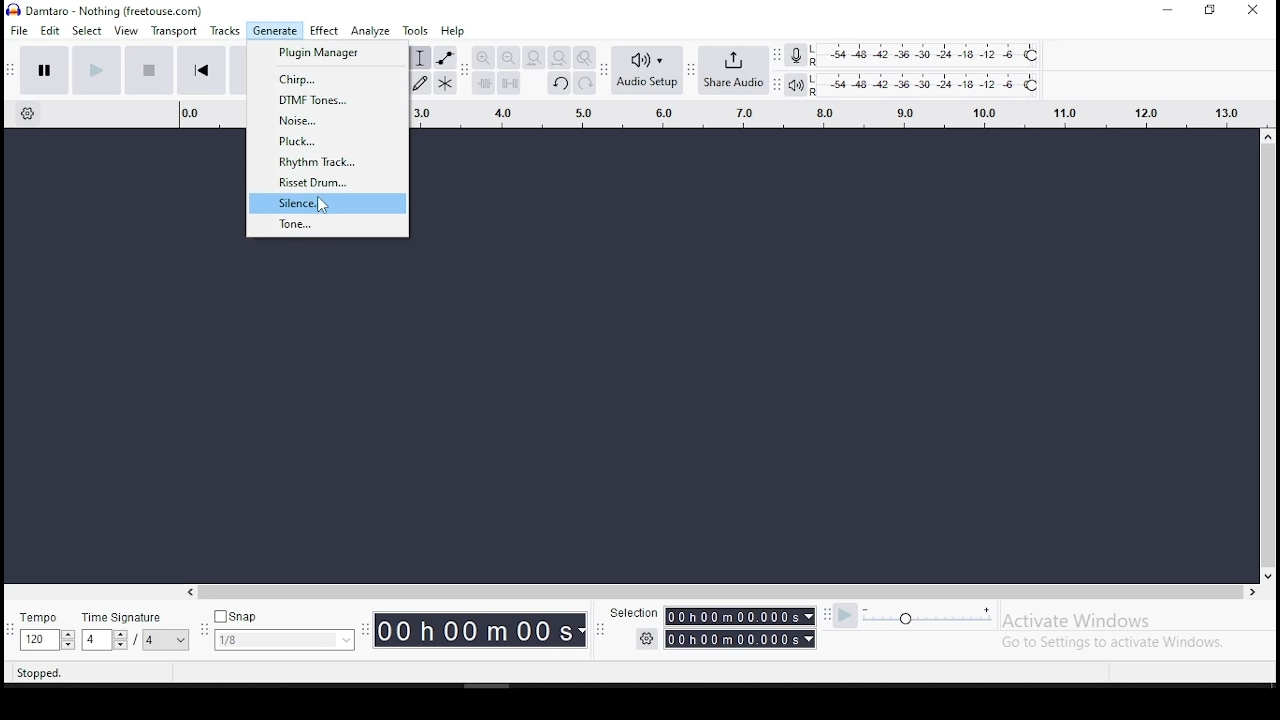 The width and height of the screenshot is (1280, 720). I want to click on plugin manager, so click(328, 52).